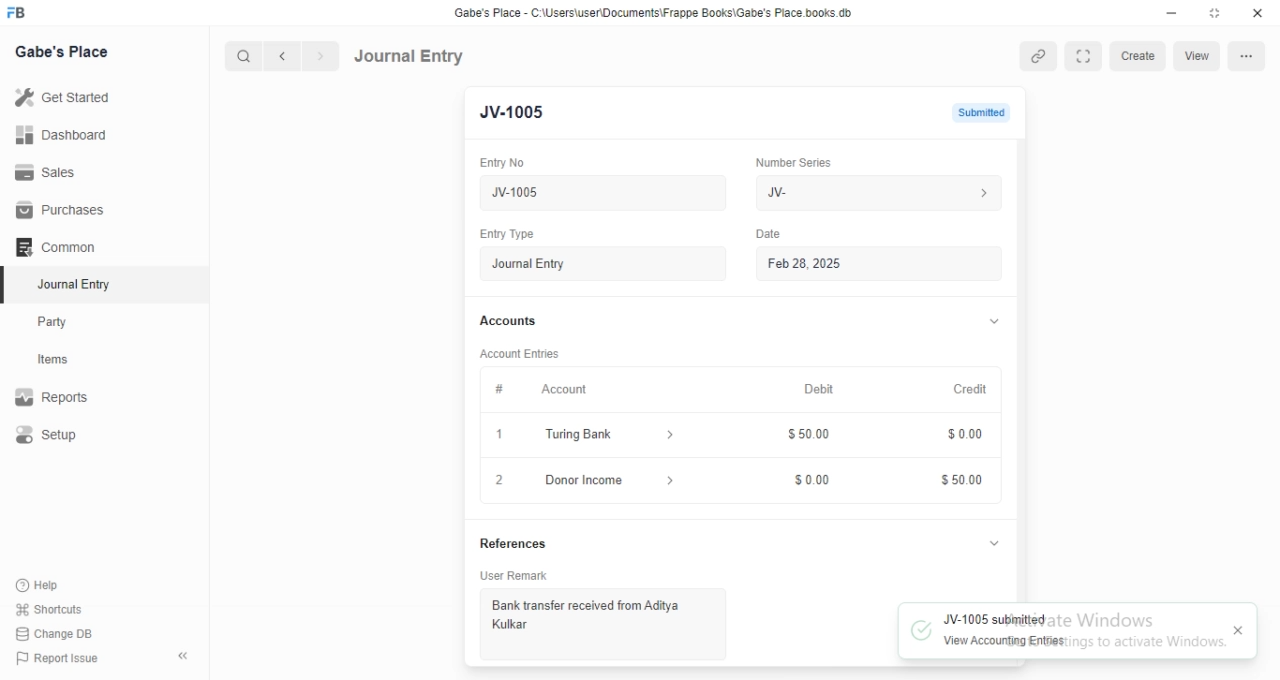  I want to click on cursor, so click(1193, 358).